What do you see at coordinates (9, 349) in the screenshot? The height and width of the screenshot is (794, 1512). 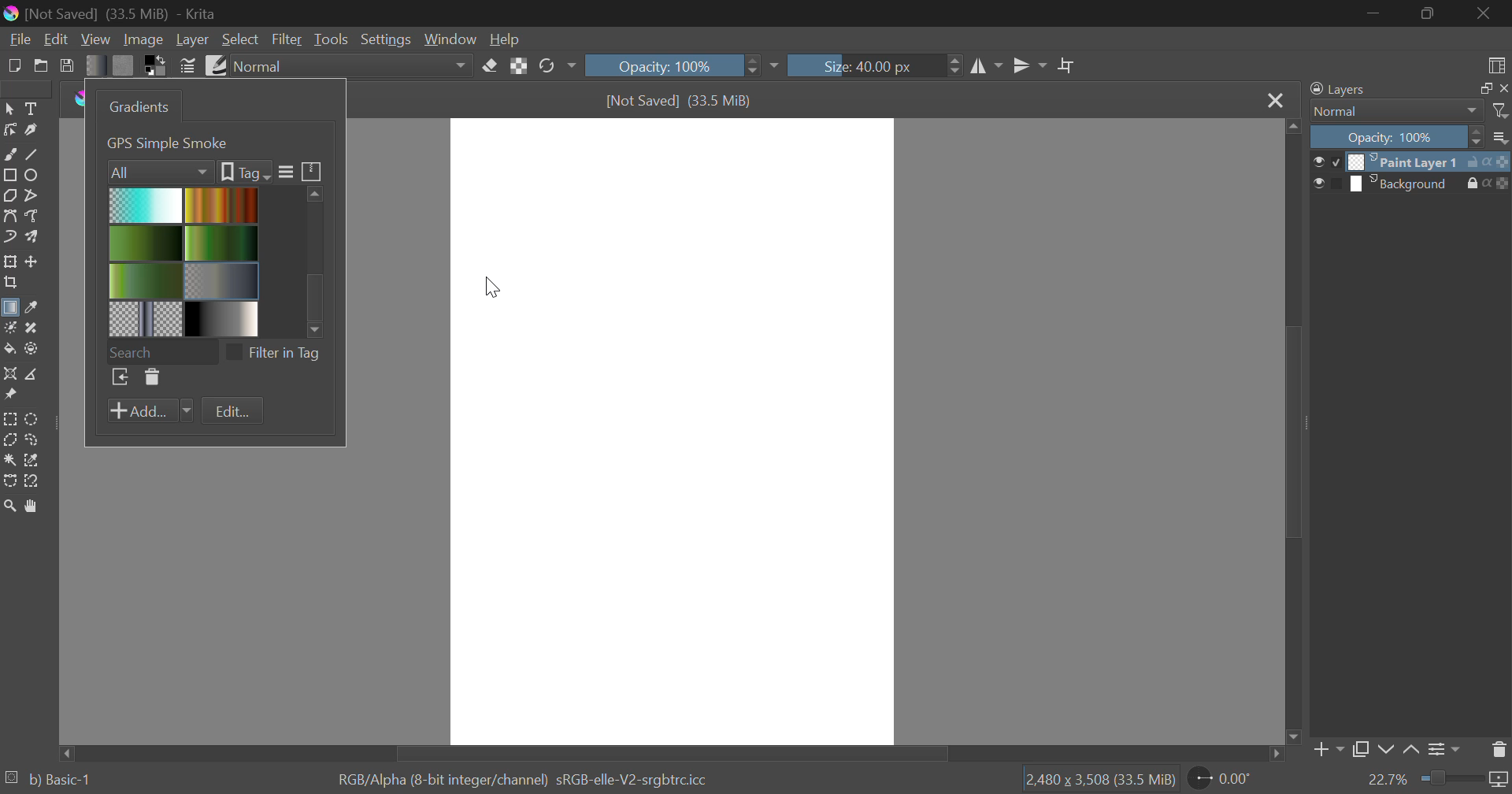 I see `Fill` at bounding box center [9, 349].